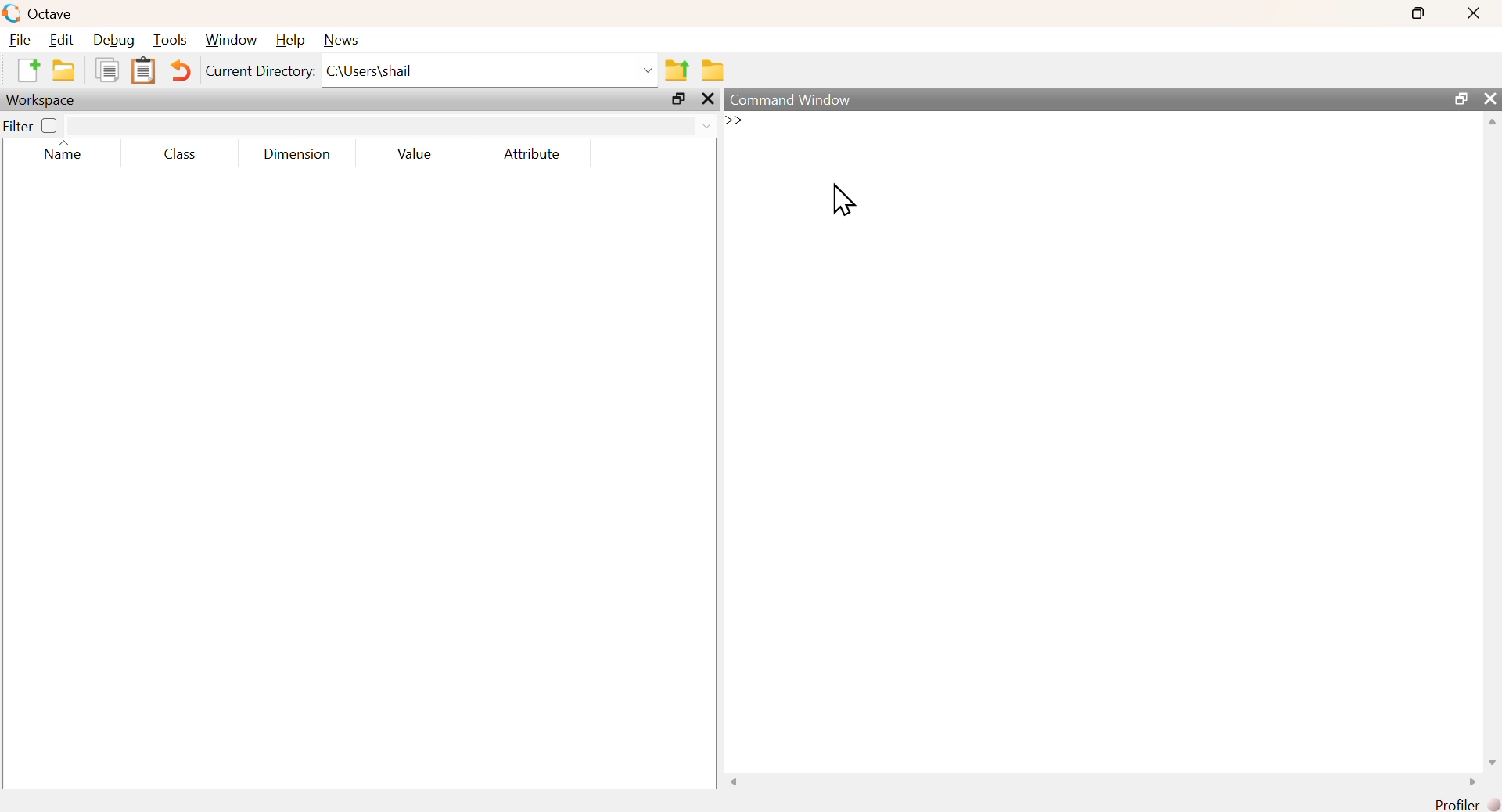 The height and width of the screenshot is (812, 1502). I want to click on maximize, so click(679, 99).